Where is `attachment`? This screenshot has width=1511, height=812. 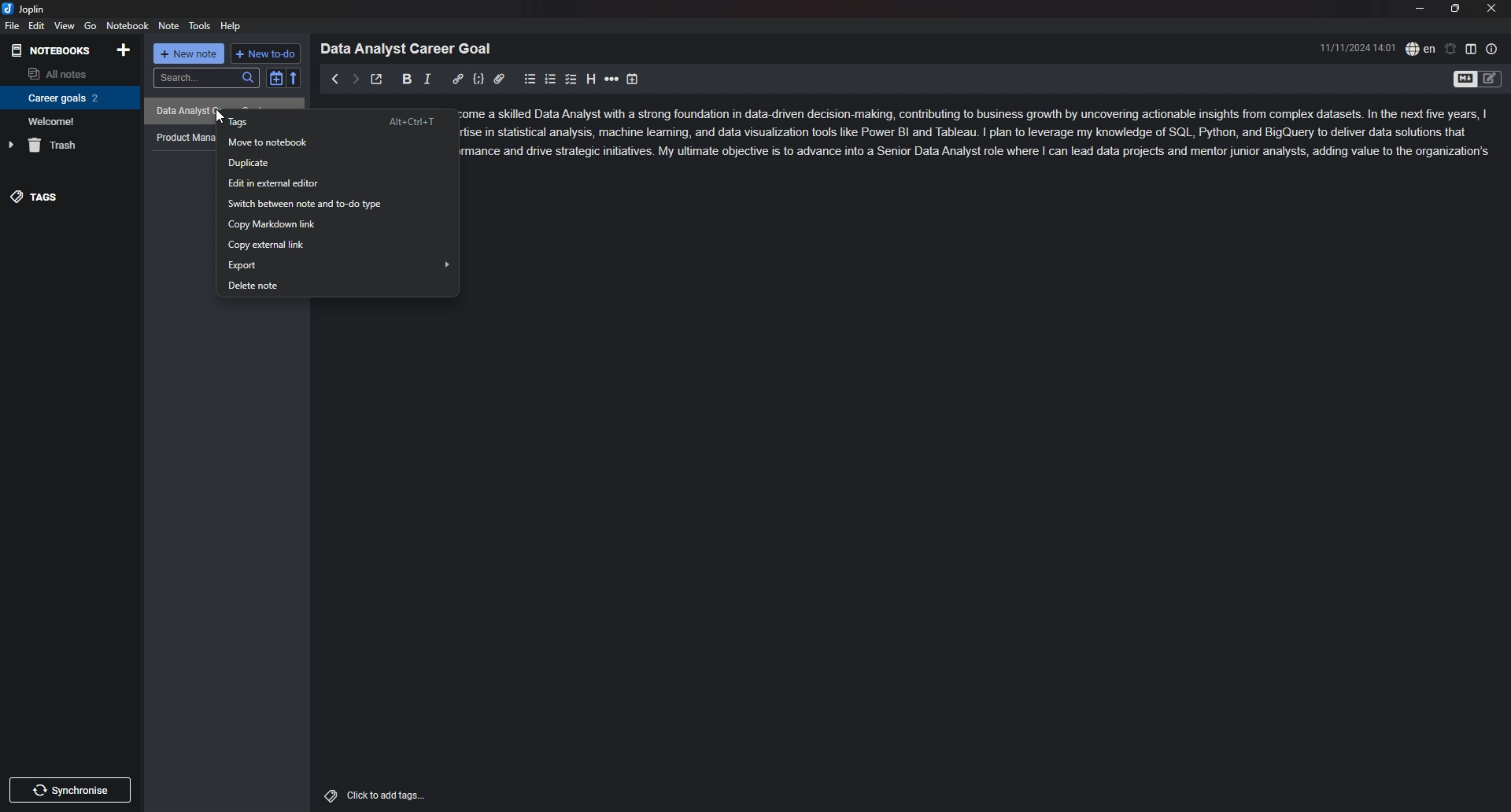 attachment is located at coordinates (499, 79).